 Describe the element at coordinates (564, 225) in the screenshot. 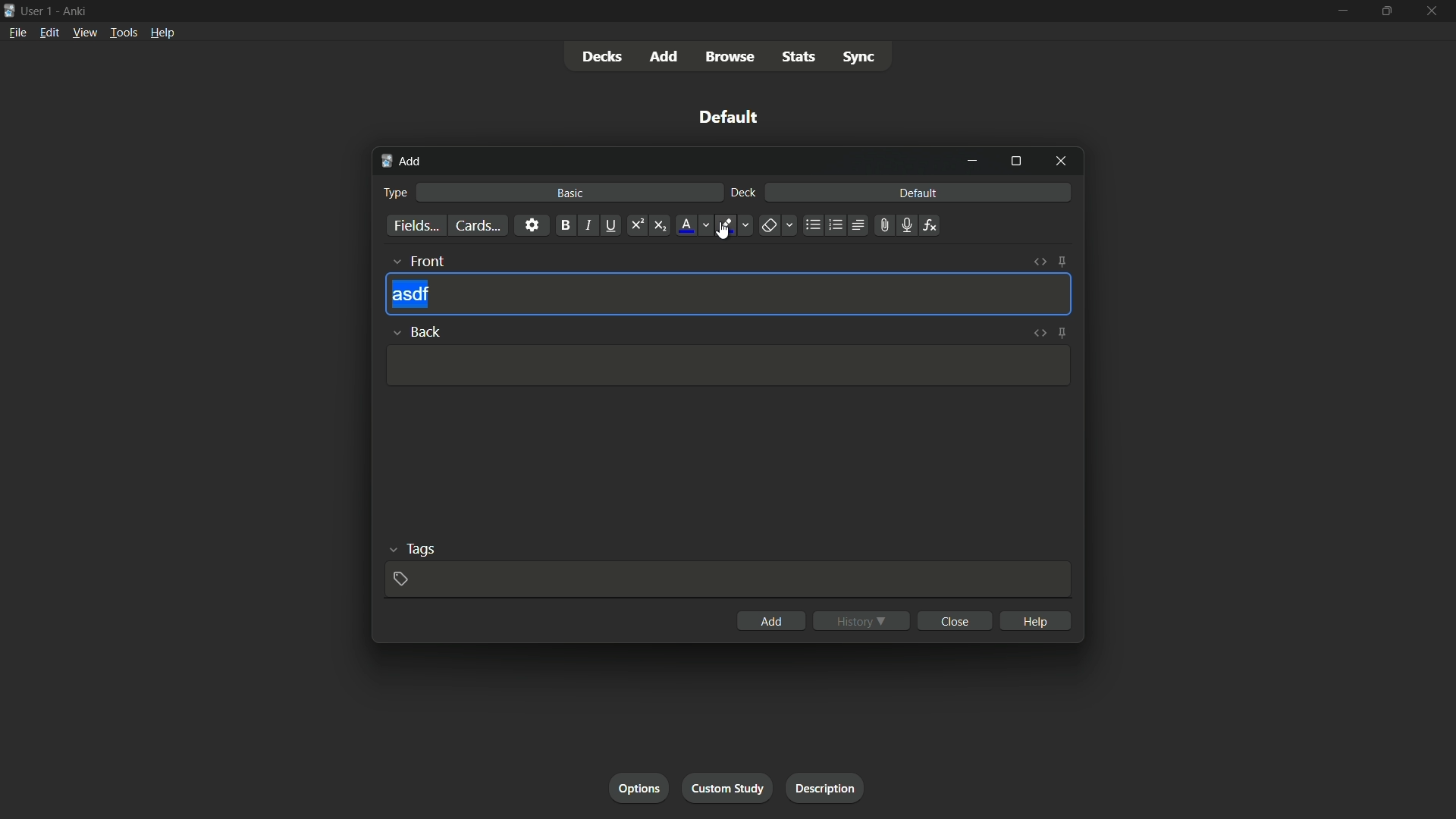

I see `bold` at that location.